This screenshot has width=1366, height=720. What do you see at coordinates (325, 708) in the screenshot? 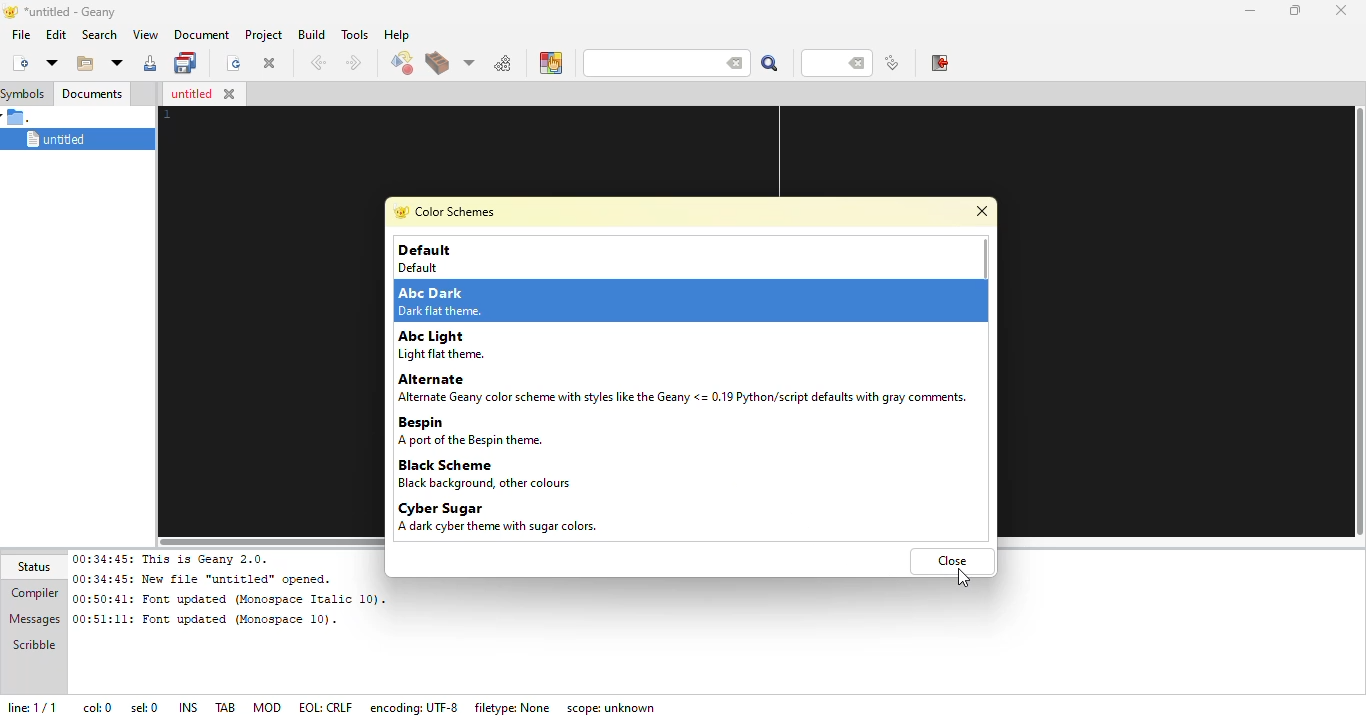
I see `eol: crlf` at bounding box center [325, 708].